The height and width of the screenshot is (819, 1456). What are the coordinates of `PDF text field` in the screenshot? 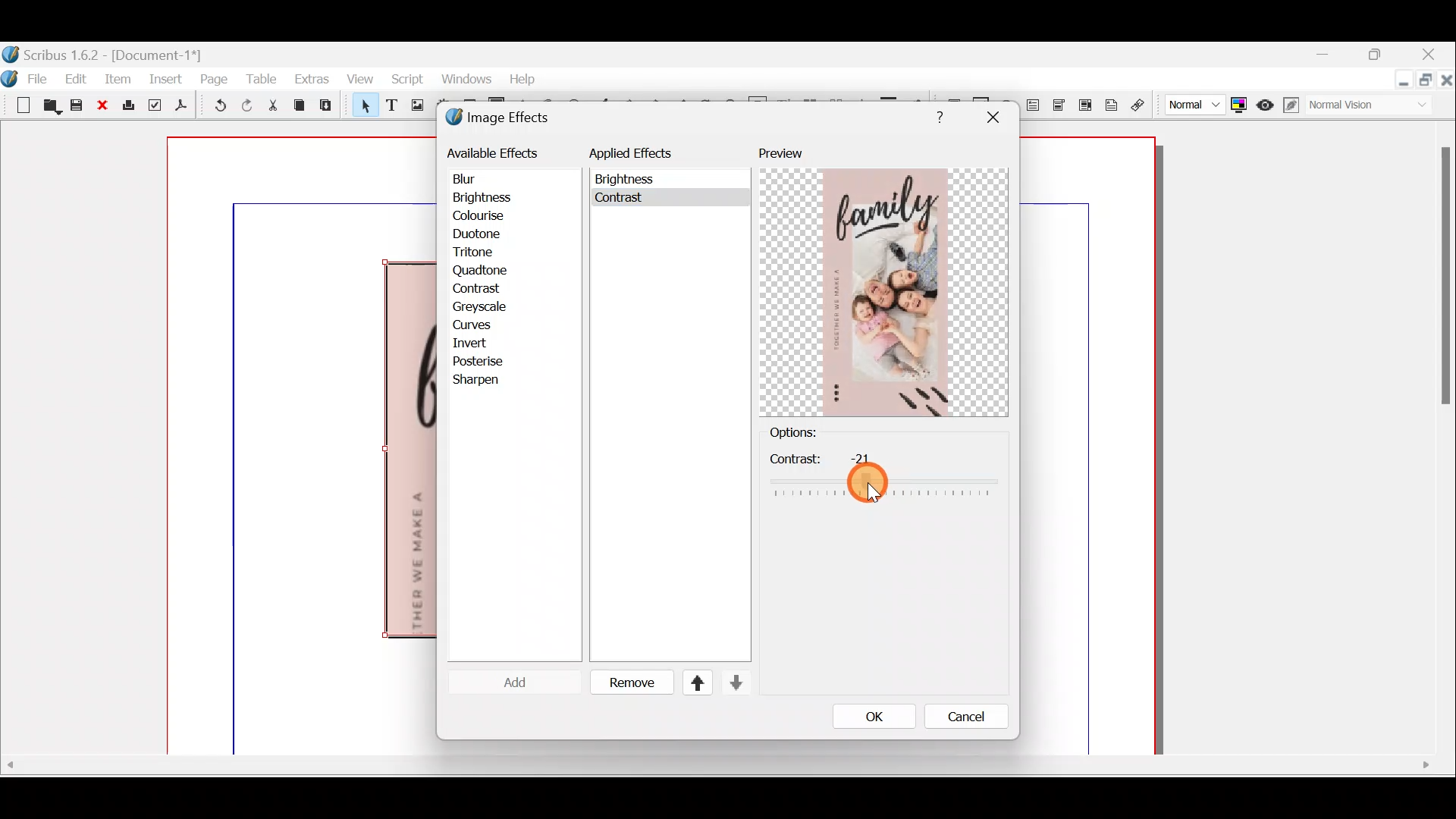 It's located at (1034, 105).